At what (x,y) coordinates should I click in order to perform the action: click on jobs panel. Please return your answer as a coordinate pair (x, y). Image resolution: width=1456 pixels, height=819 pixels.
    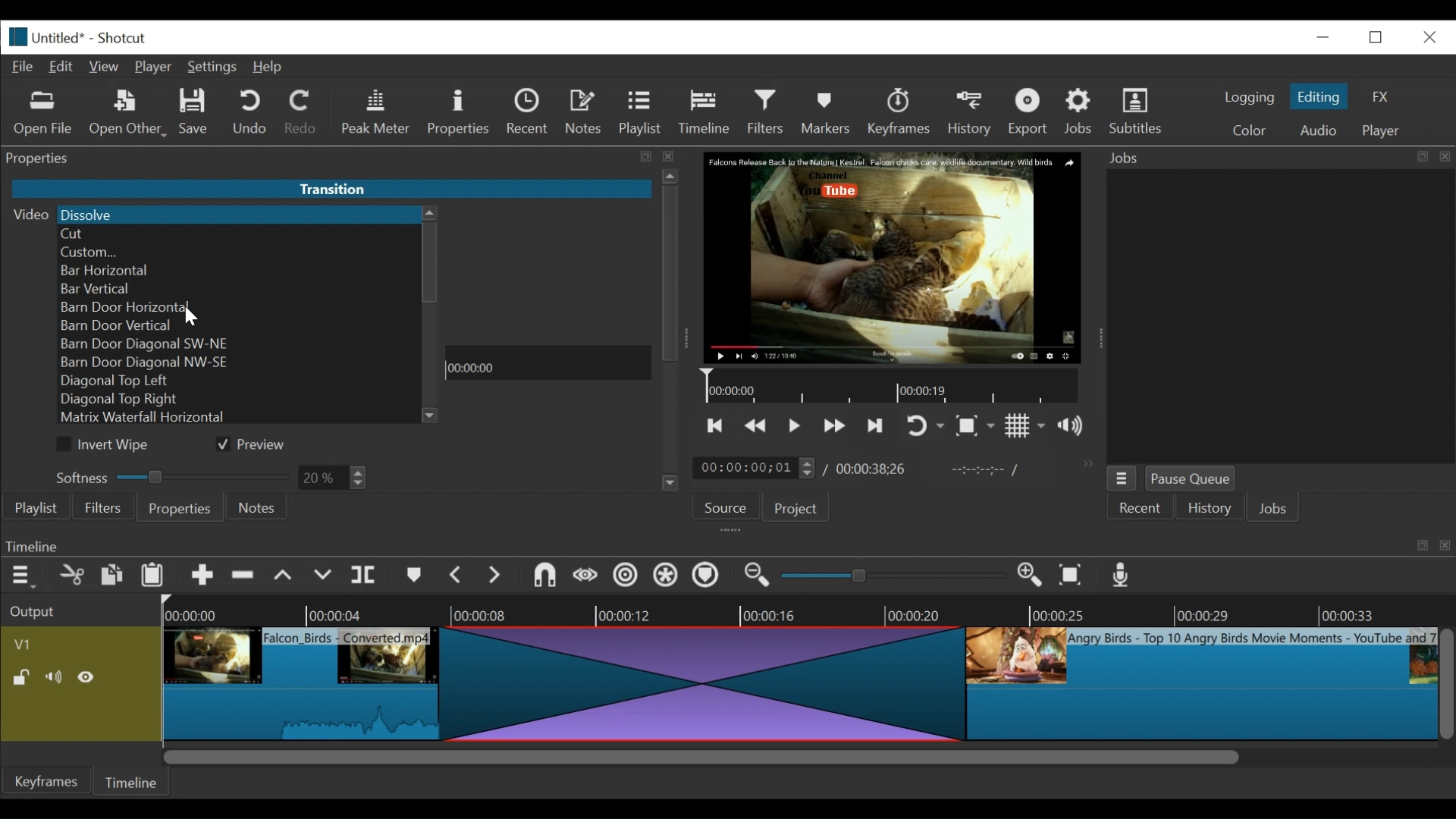
    Looking at the image, I should click on (1280, 315).